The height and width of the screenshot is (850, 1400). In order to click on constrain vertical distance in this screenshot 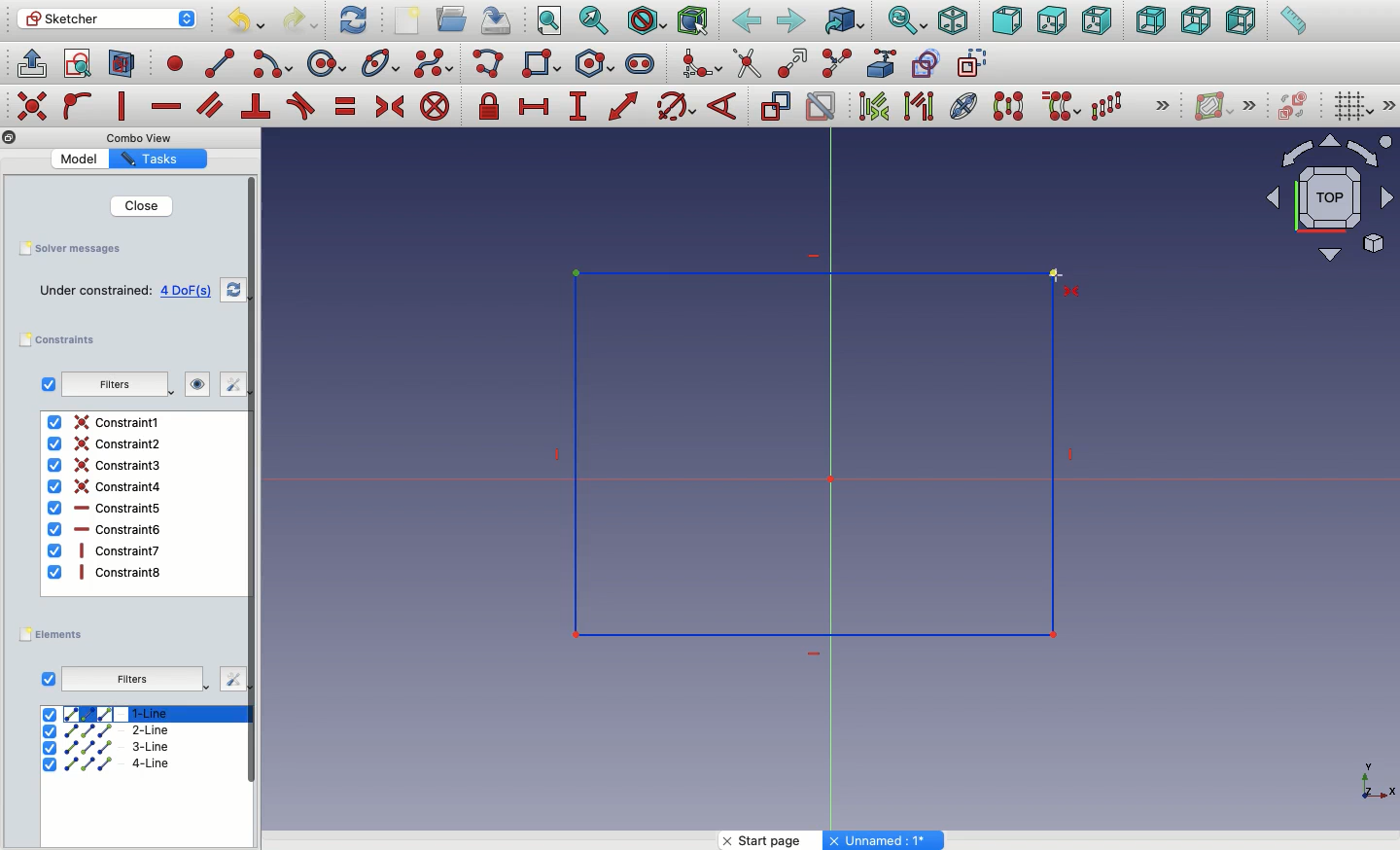, I will do `click(581, 108)`.